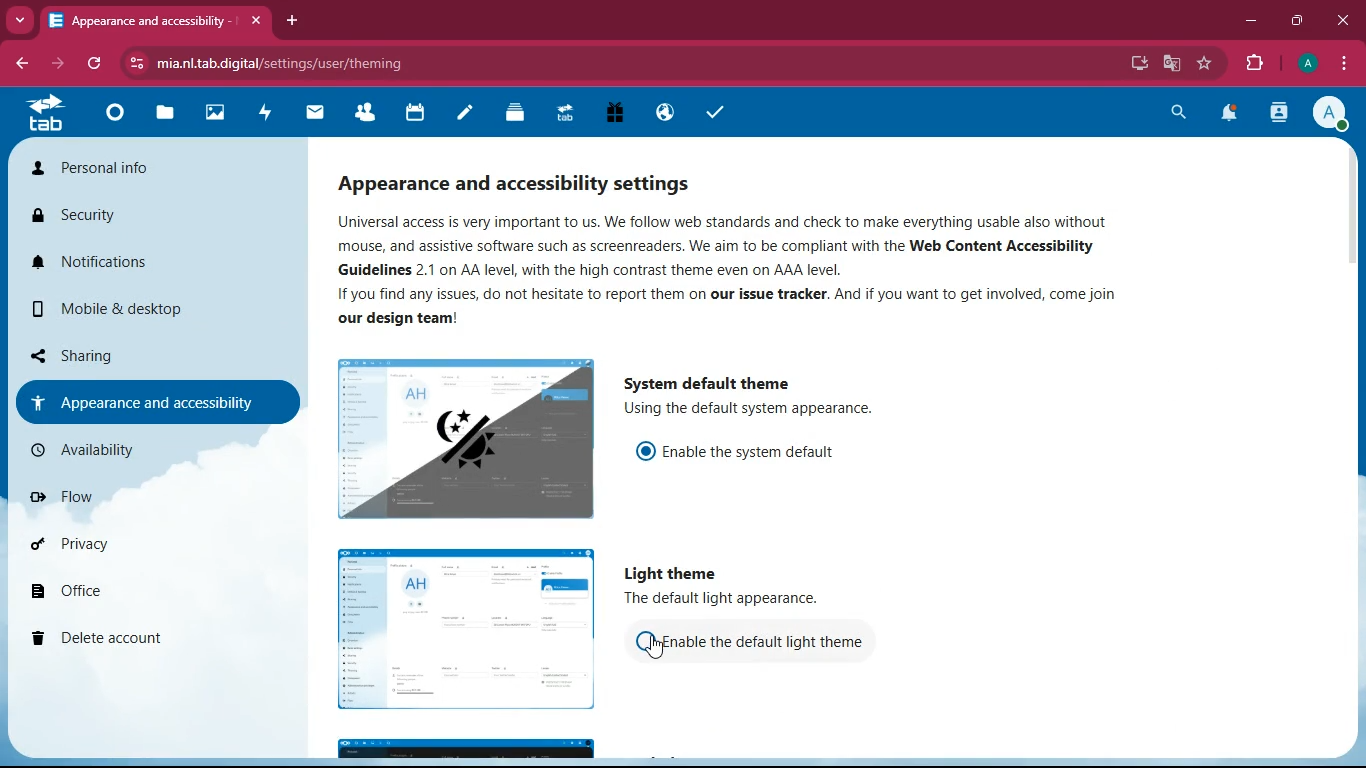  Describe the element at coordinates (291, 19) in the screenshot. I see `add tab` at that location.